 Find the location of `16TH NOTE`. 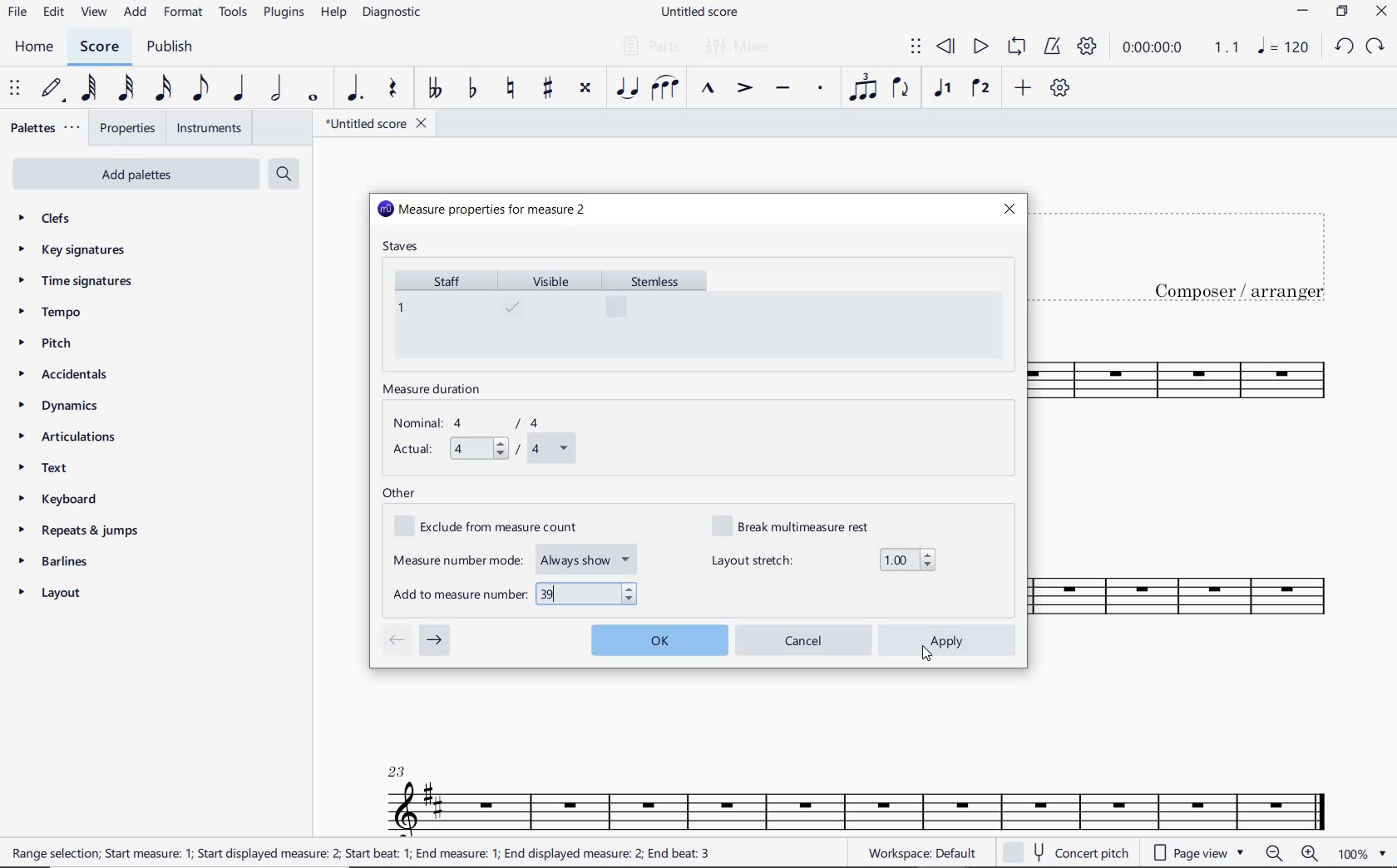

16TH NOTE is located at coordinates (161, 89).